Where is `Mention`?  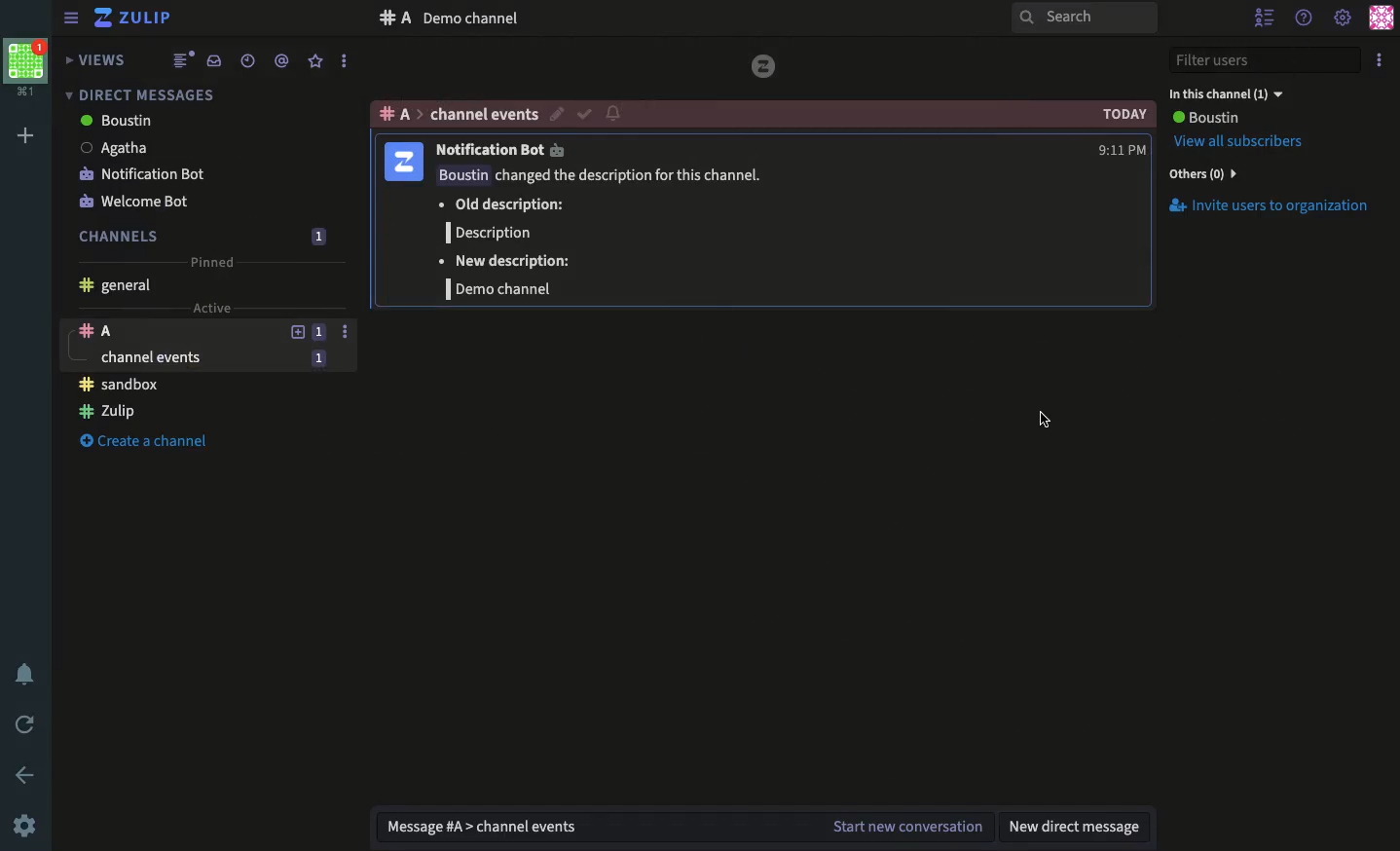 Mention is located at coordinates (282, 61).